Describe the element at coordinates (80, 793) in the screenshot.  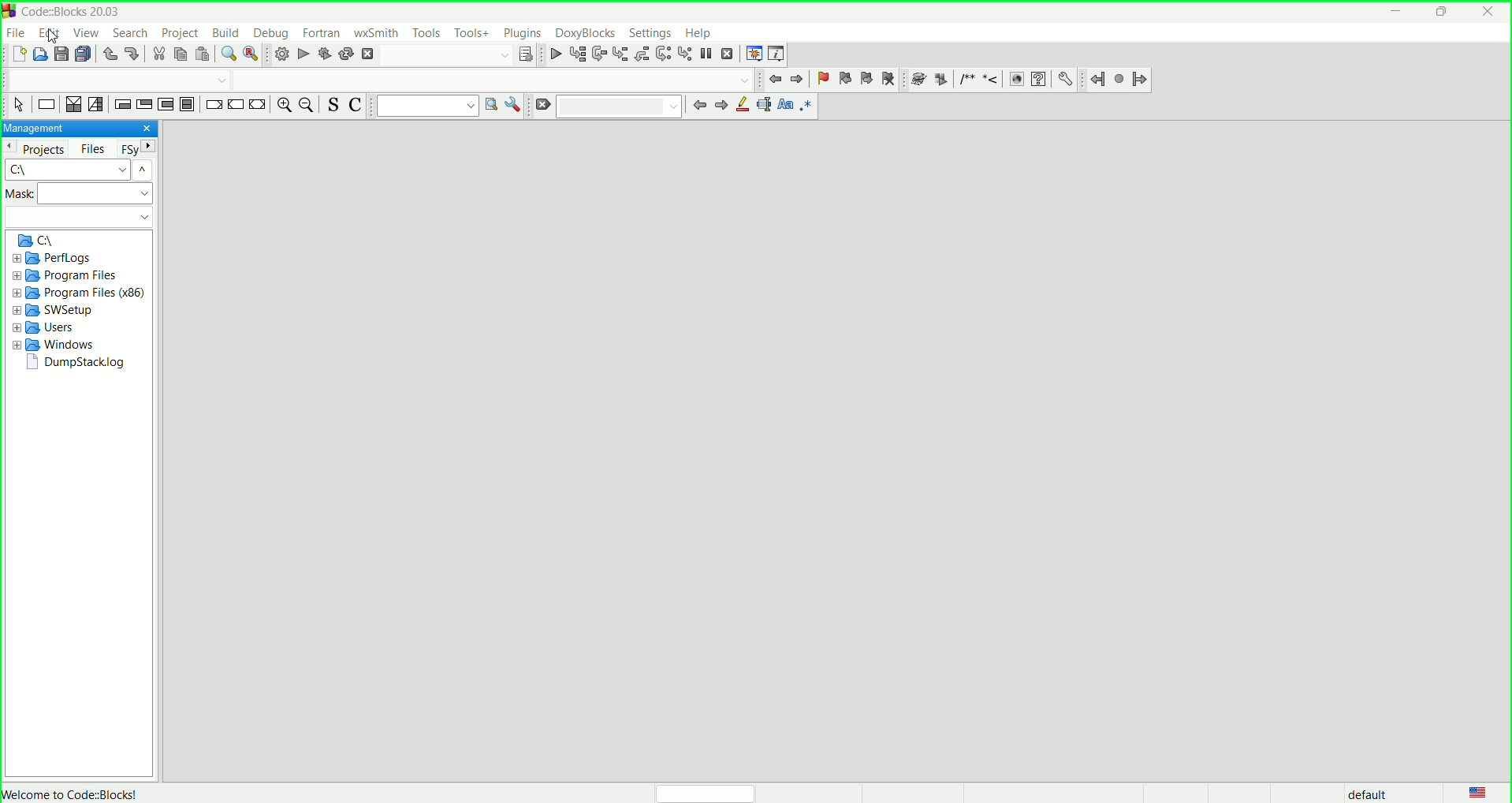
I see `Welcome to Code::Blocks!` at that location.